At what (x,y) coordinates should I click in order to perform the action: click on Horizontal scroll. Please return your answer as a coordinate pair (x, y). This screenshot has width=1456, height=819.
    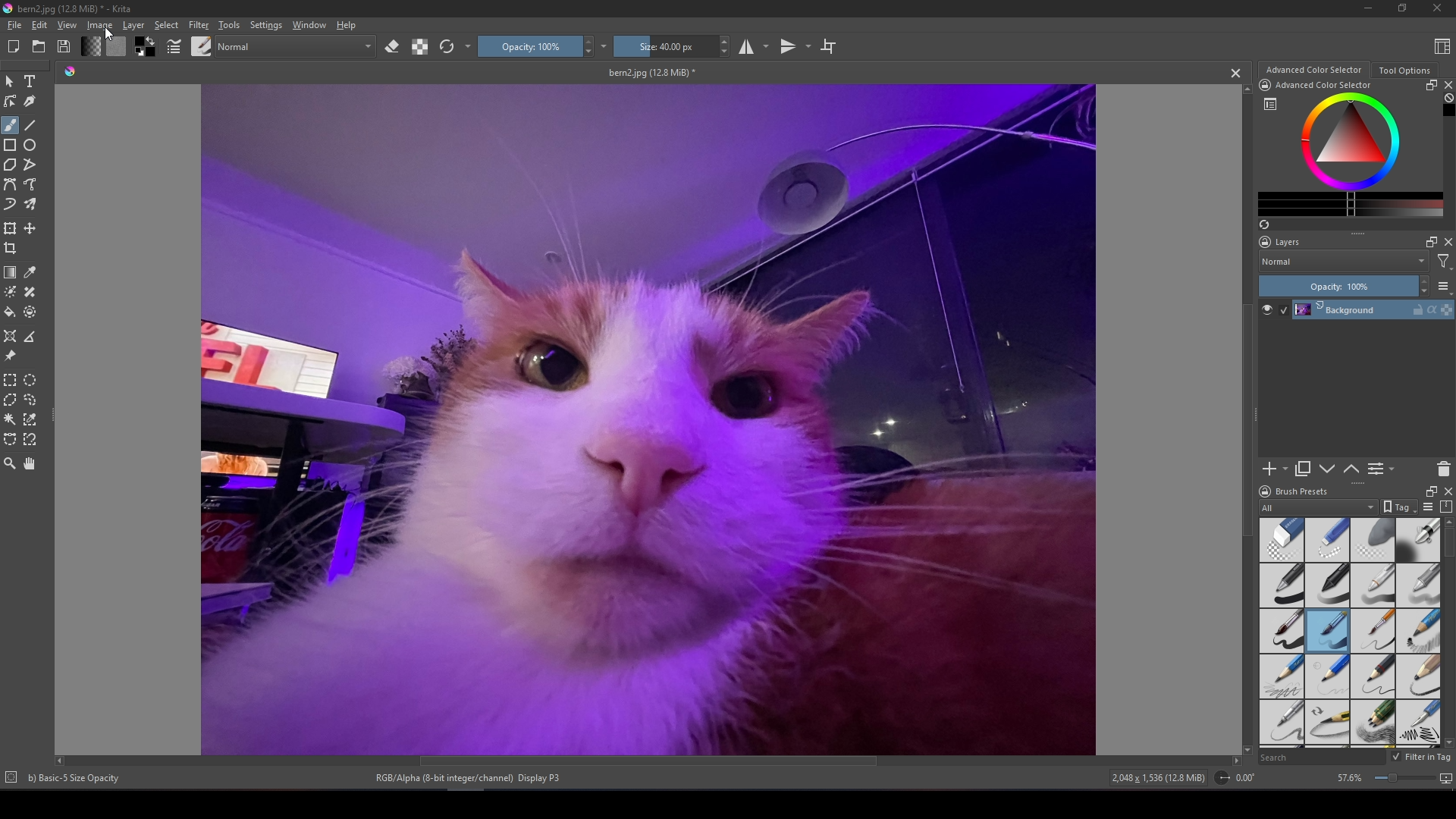
    Looking at the image, I should click on (648, 761).